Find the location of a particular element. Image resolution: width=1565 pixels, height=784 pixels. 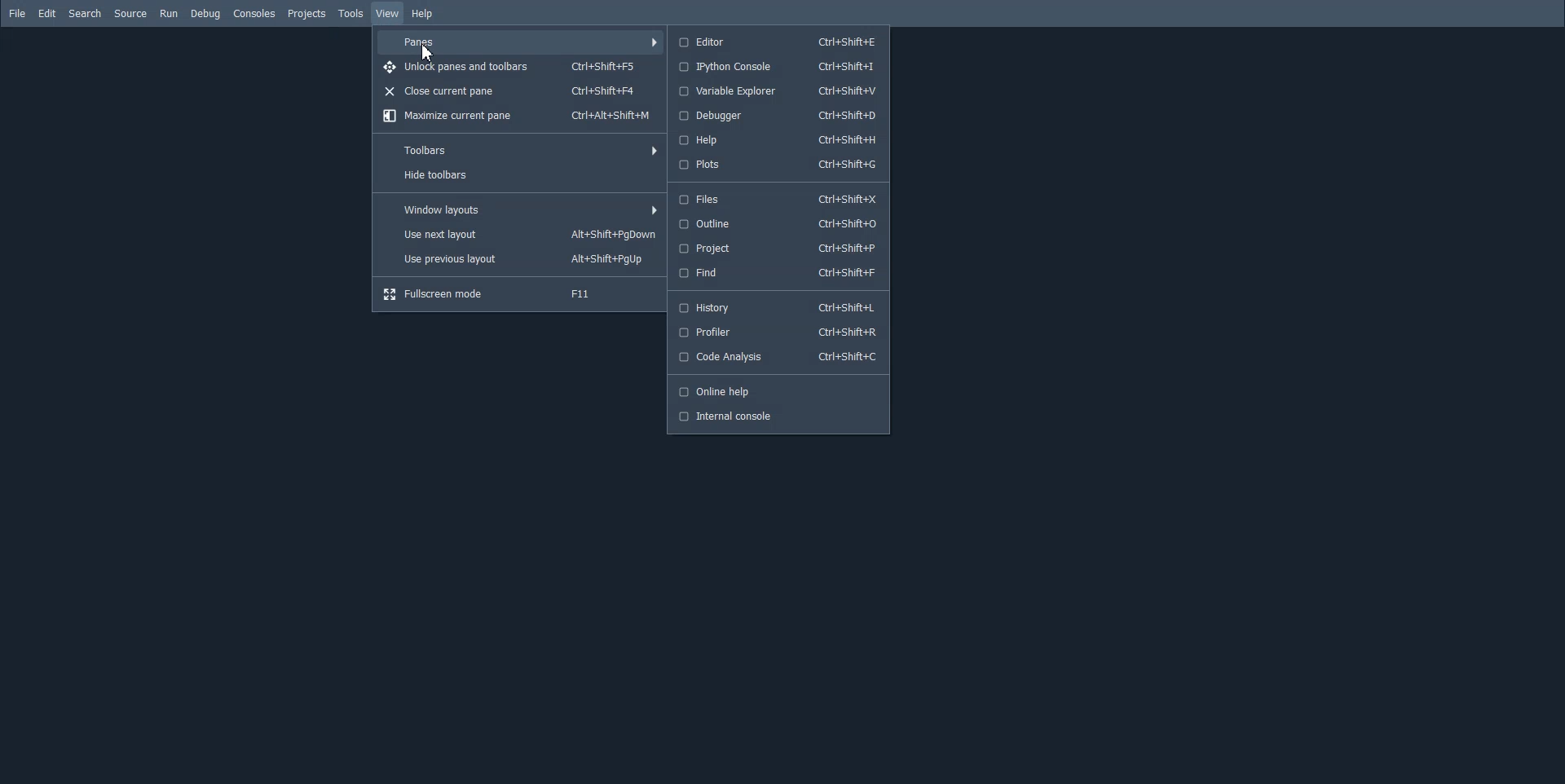

Variable Explorer is located at coordinates (777, 91).